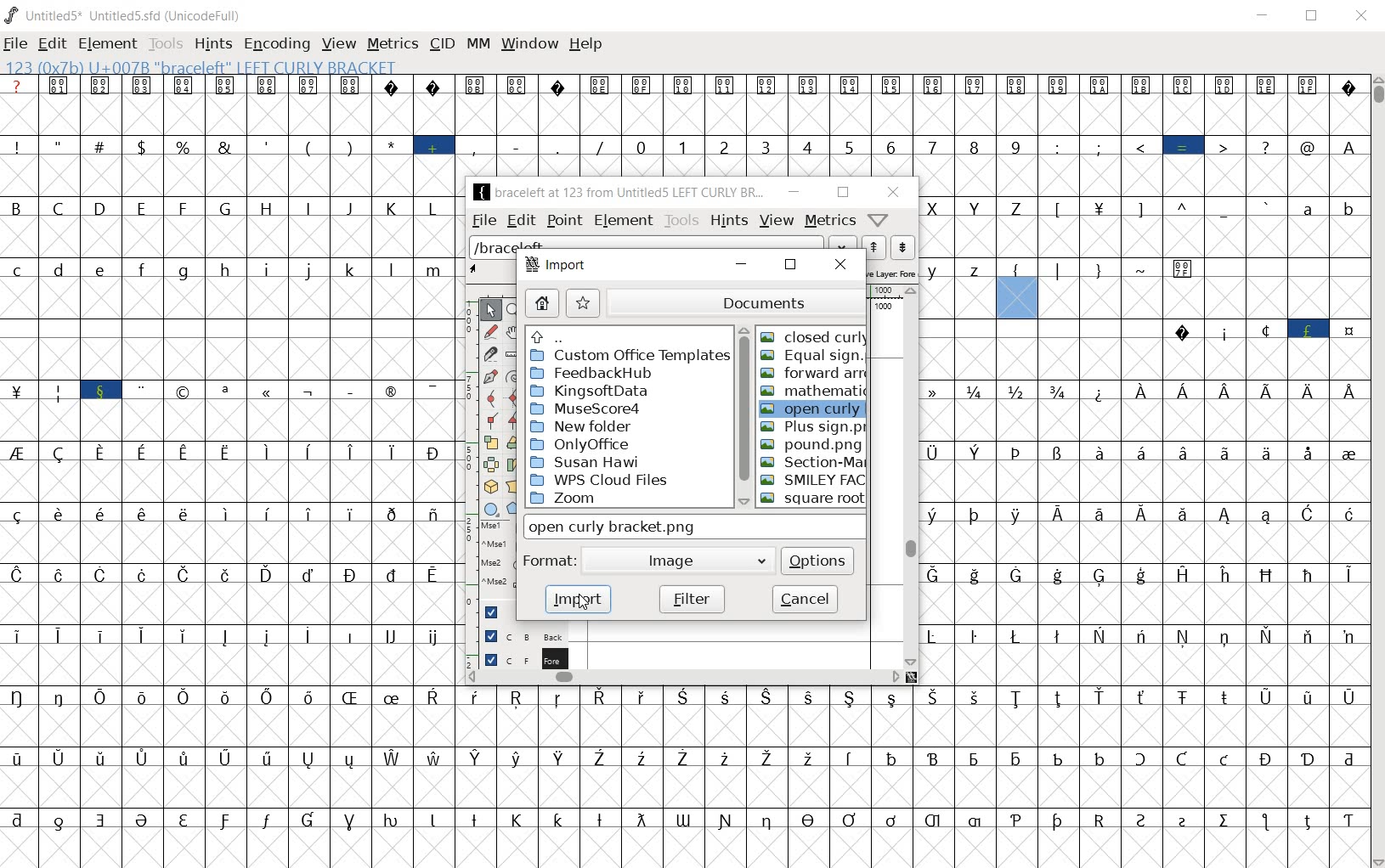 The height and width of the screenshot is (868, 1385). What do you see at coordinates (911, 777) in the screenshot?
I see `glyph characters` at bounding box center [911, 777].